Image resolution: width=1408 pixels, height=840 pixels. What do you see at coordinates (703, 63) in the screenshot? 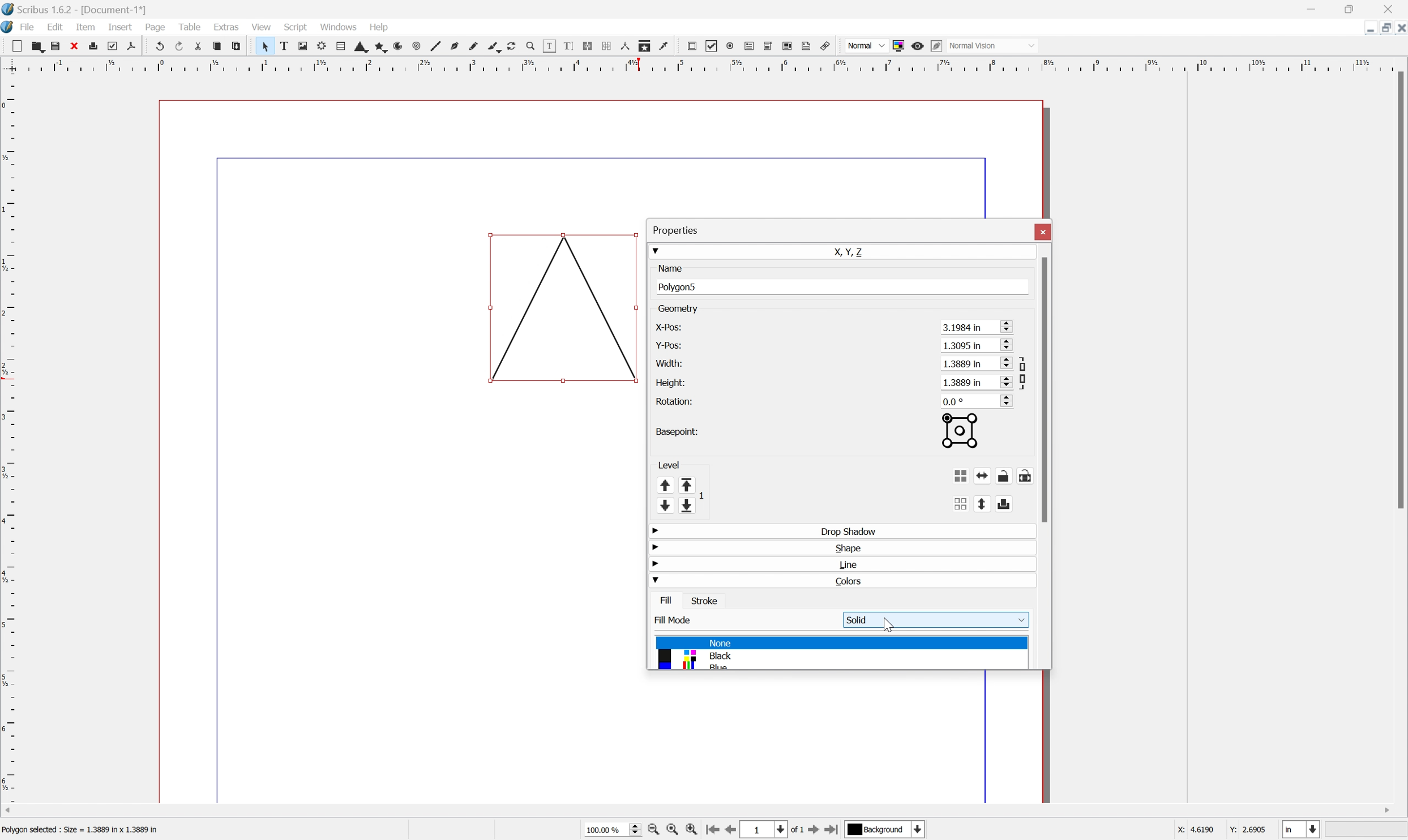
I see `Scale` at bounding box center [703, 63].